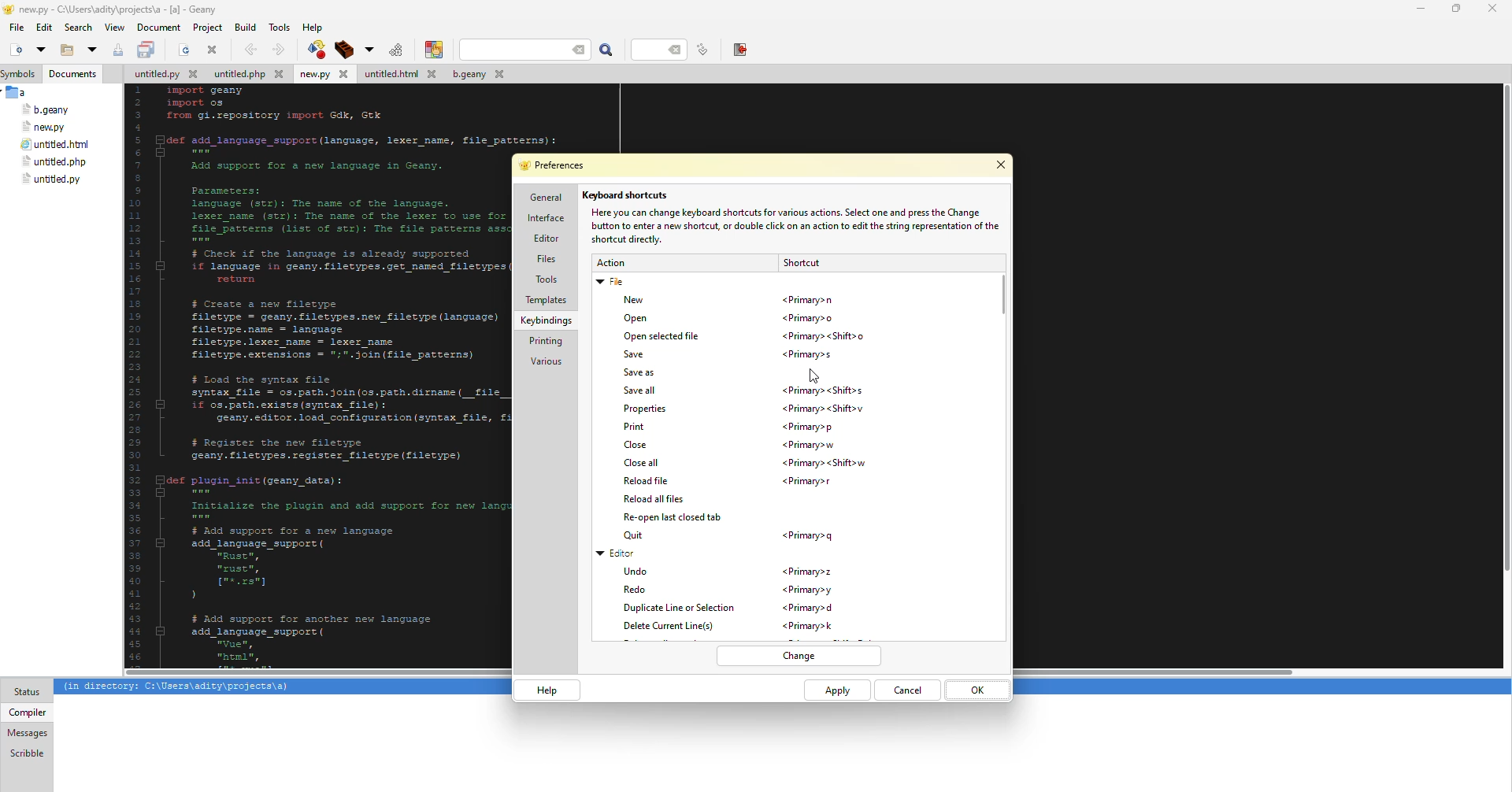  Describe the element at coordinates (17, 28) in the screenshot. I see `file` at that location.